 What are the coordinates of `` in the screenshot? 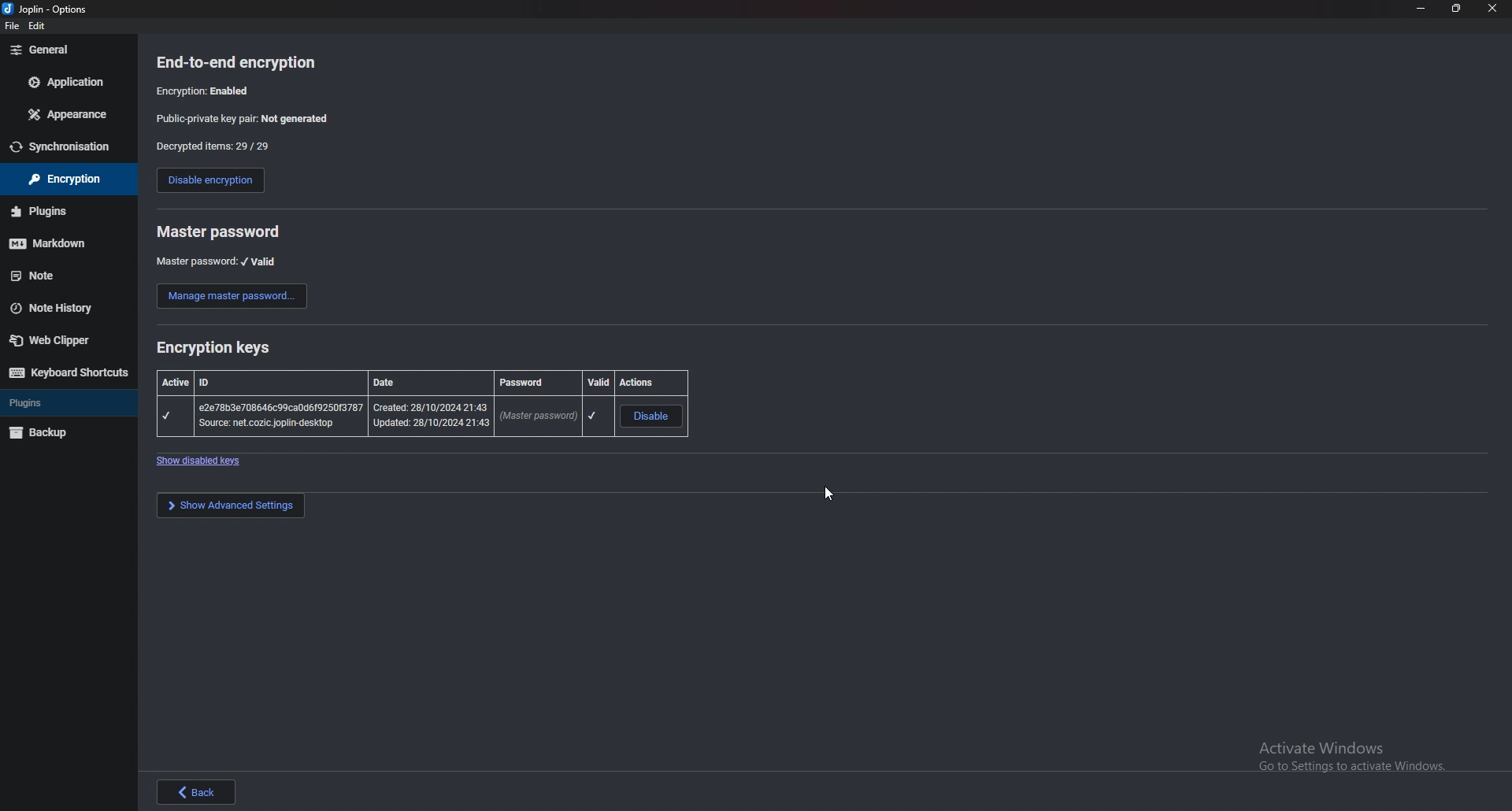 It's located at (39, 25).